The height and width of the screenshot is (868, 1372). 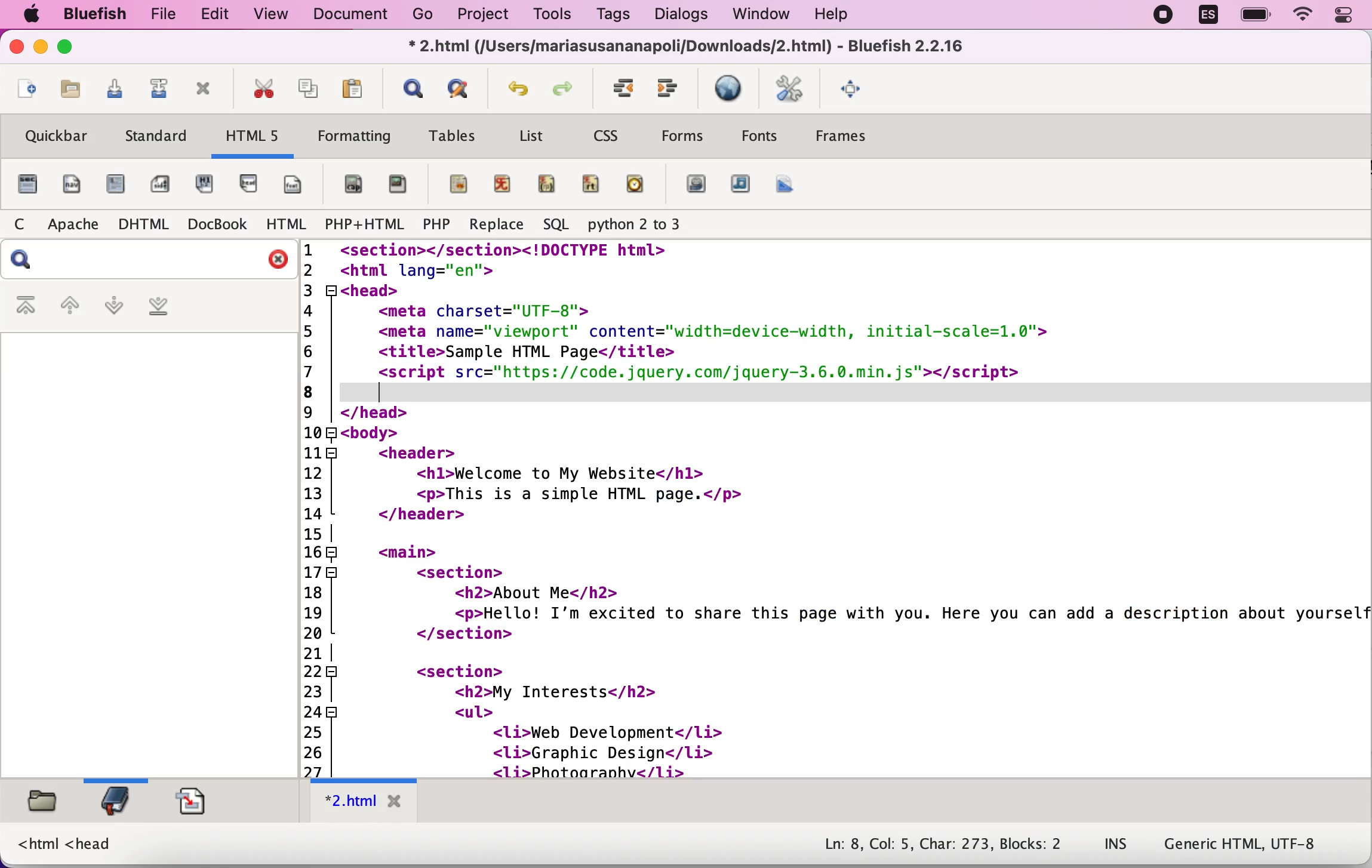 I want to click on php, so click(x=436, y=224).